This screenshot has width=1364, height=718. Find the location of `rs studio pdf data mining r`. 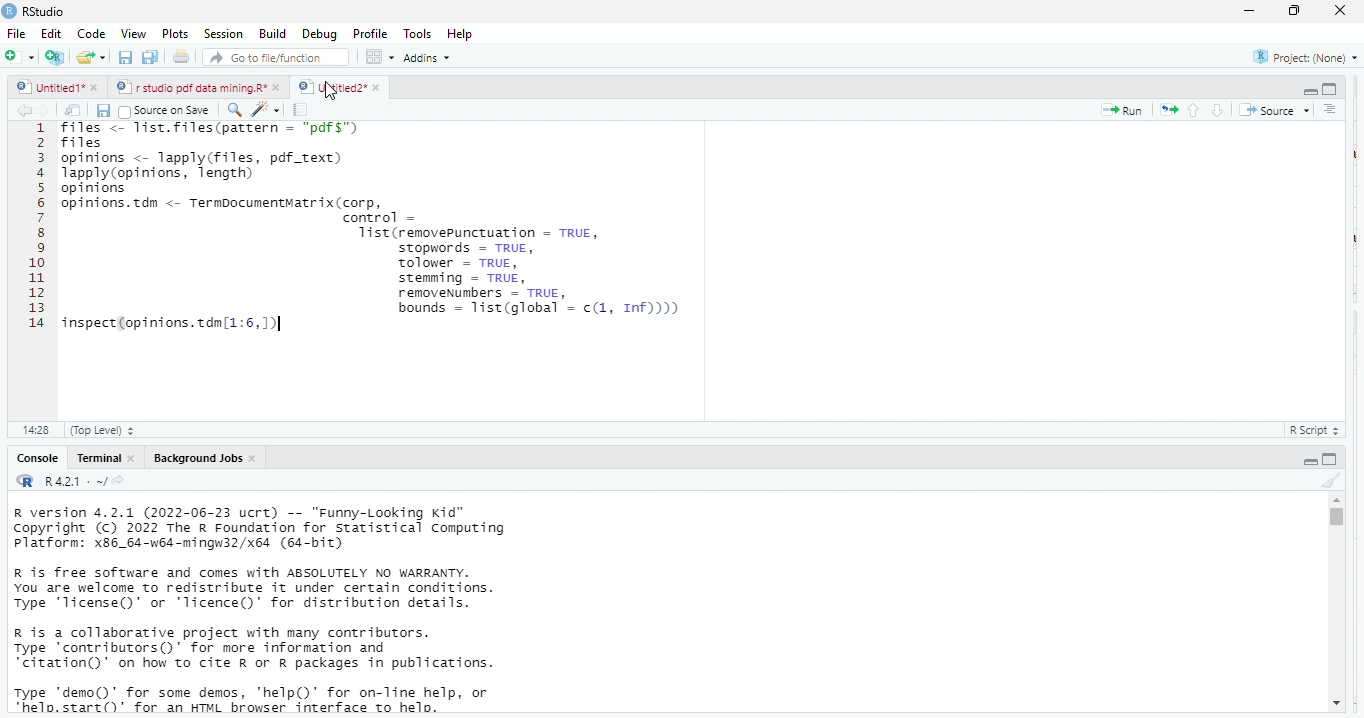

rs studio pdf data mining r is located at coordinates (190, 88).